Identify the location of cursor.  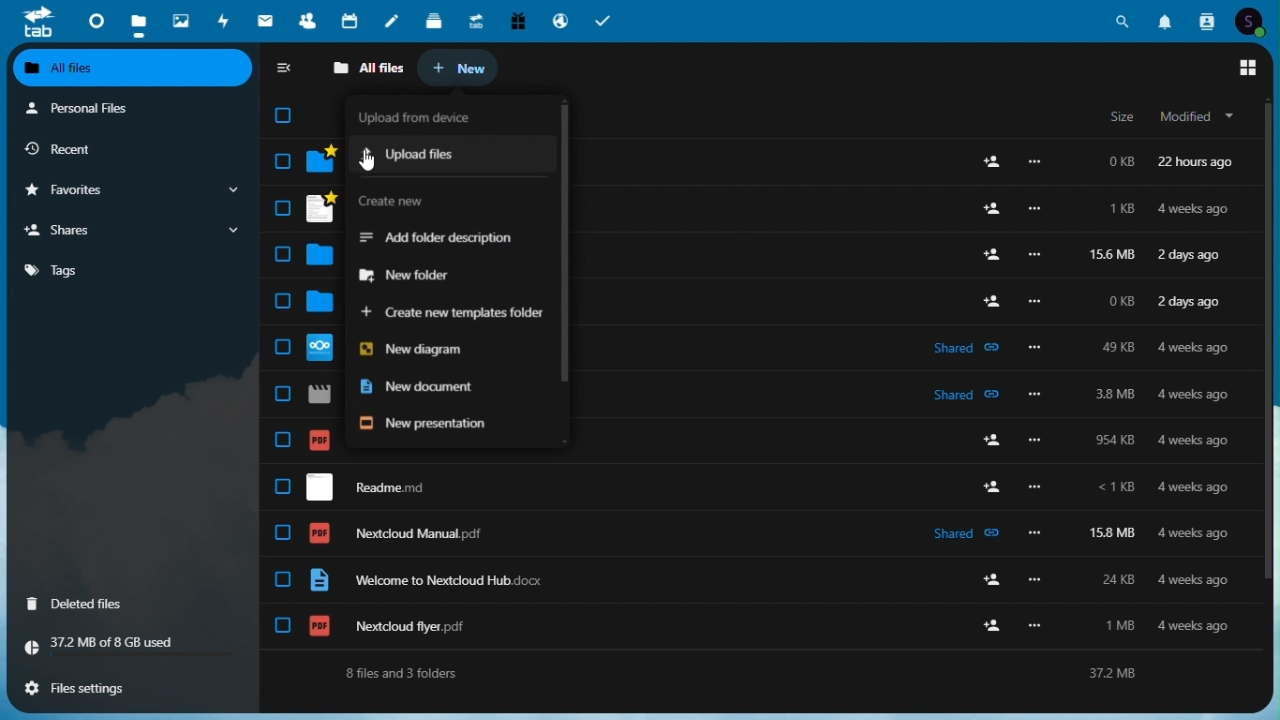
(370, 164).